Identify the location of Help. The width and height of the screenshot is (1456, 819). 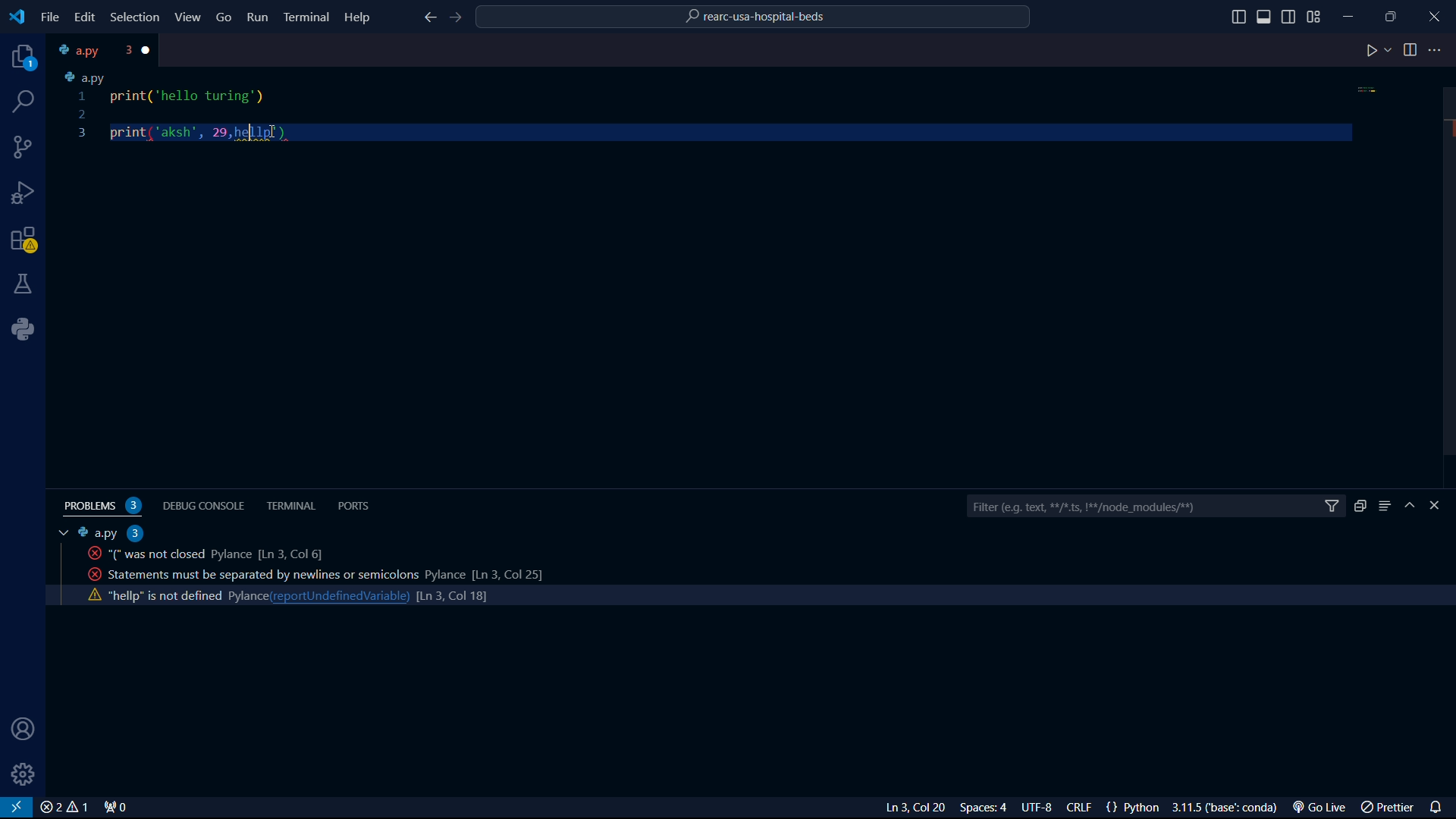
(361, 16).